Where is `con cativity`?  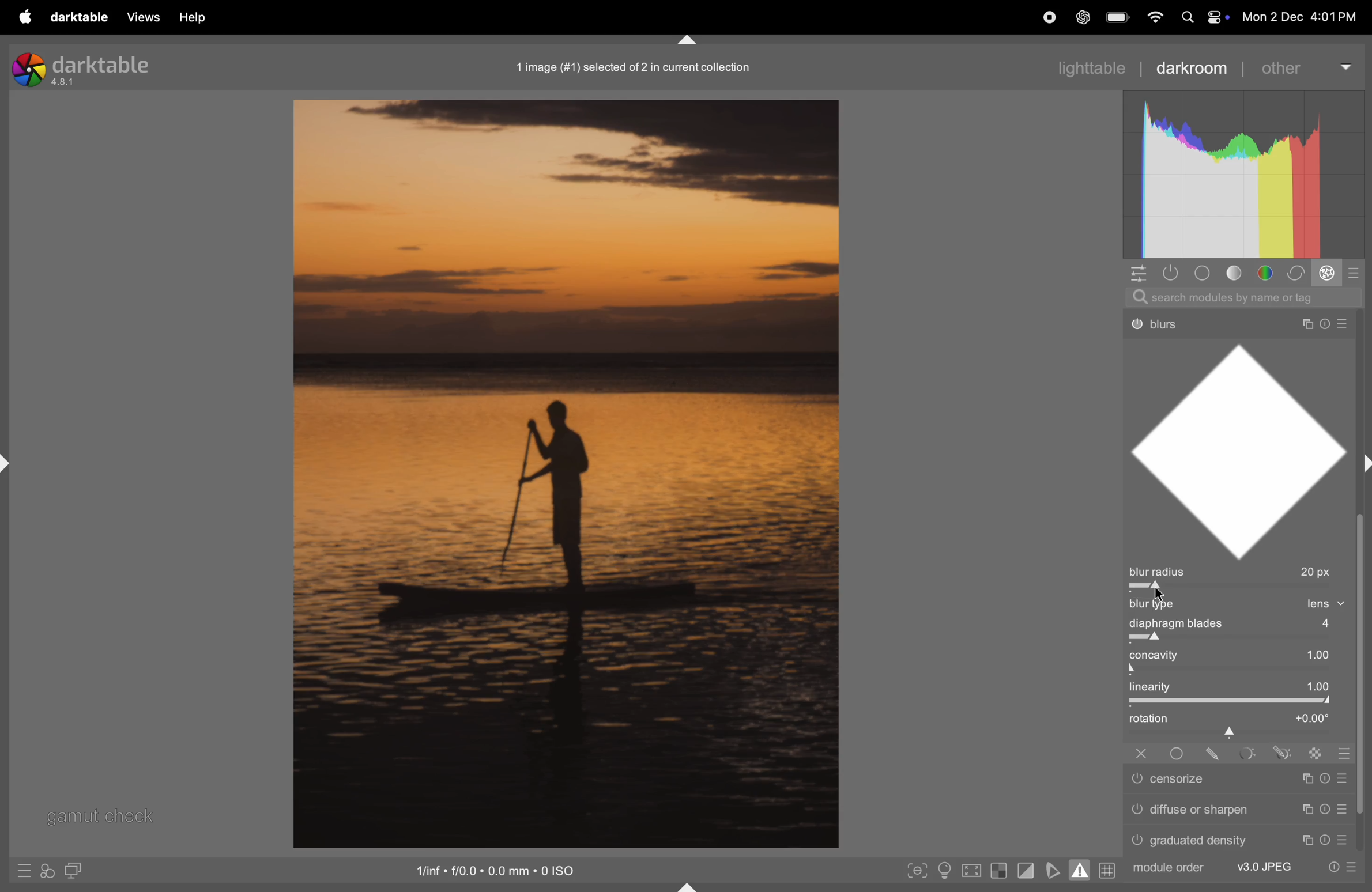 con cativity is located at coordinates (1243, 655).